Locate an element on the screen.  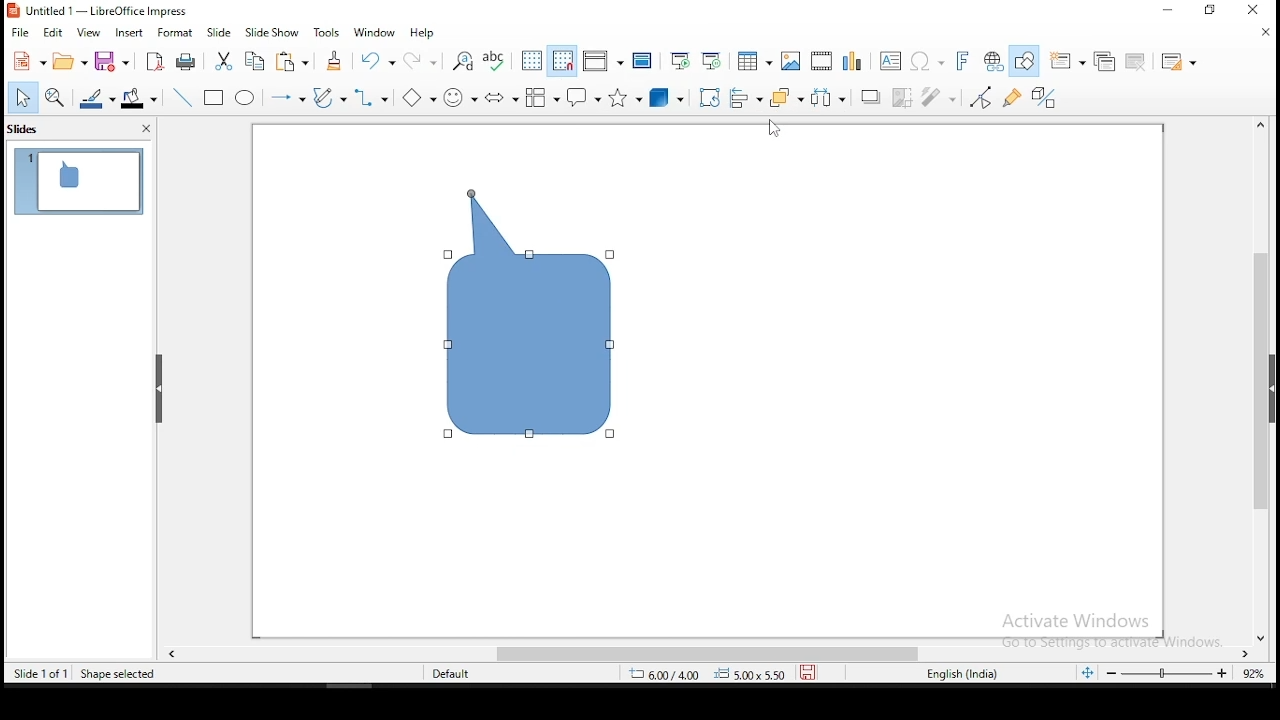
snap to grid is located at coordinates (561, 61).